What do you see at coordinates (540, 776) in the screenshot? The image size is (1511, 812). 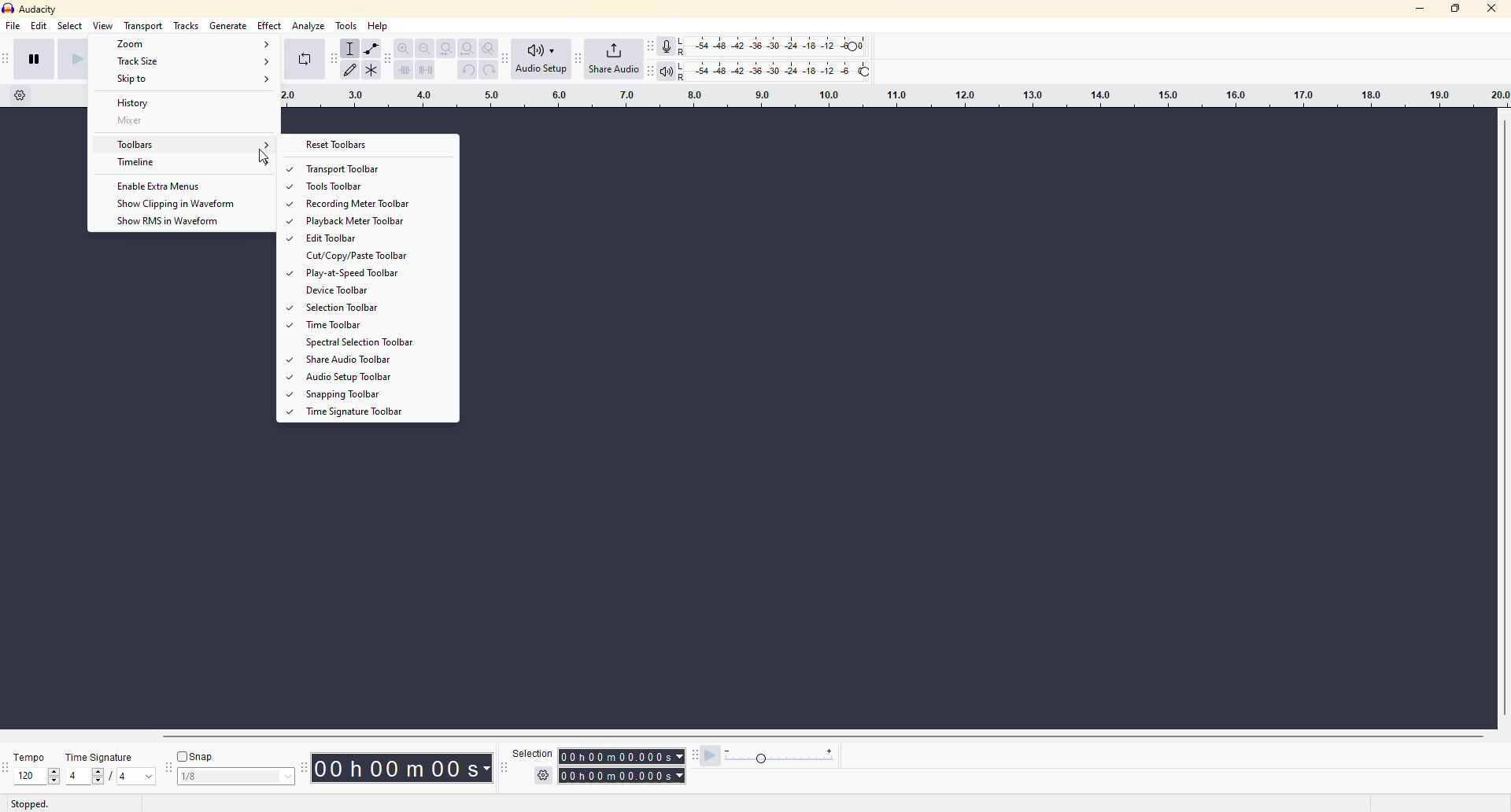 I see `setting` at bounding box center [540, 776].